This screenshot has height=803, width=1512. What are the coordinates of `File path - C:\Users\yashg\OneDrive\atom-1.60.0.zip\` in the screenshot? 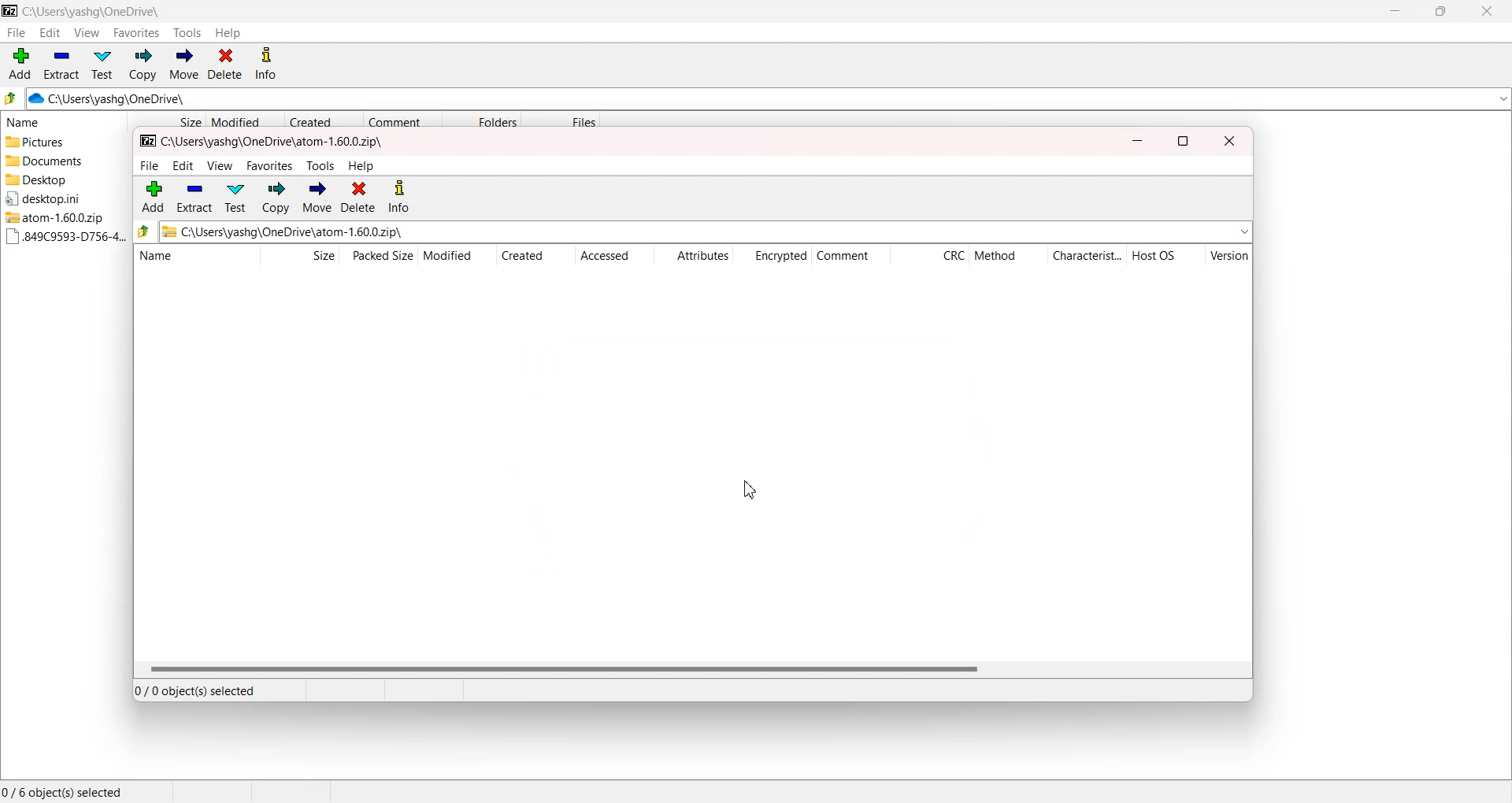 It's located at (263, 142).